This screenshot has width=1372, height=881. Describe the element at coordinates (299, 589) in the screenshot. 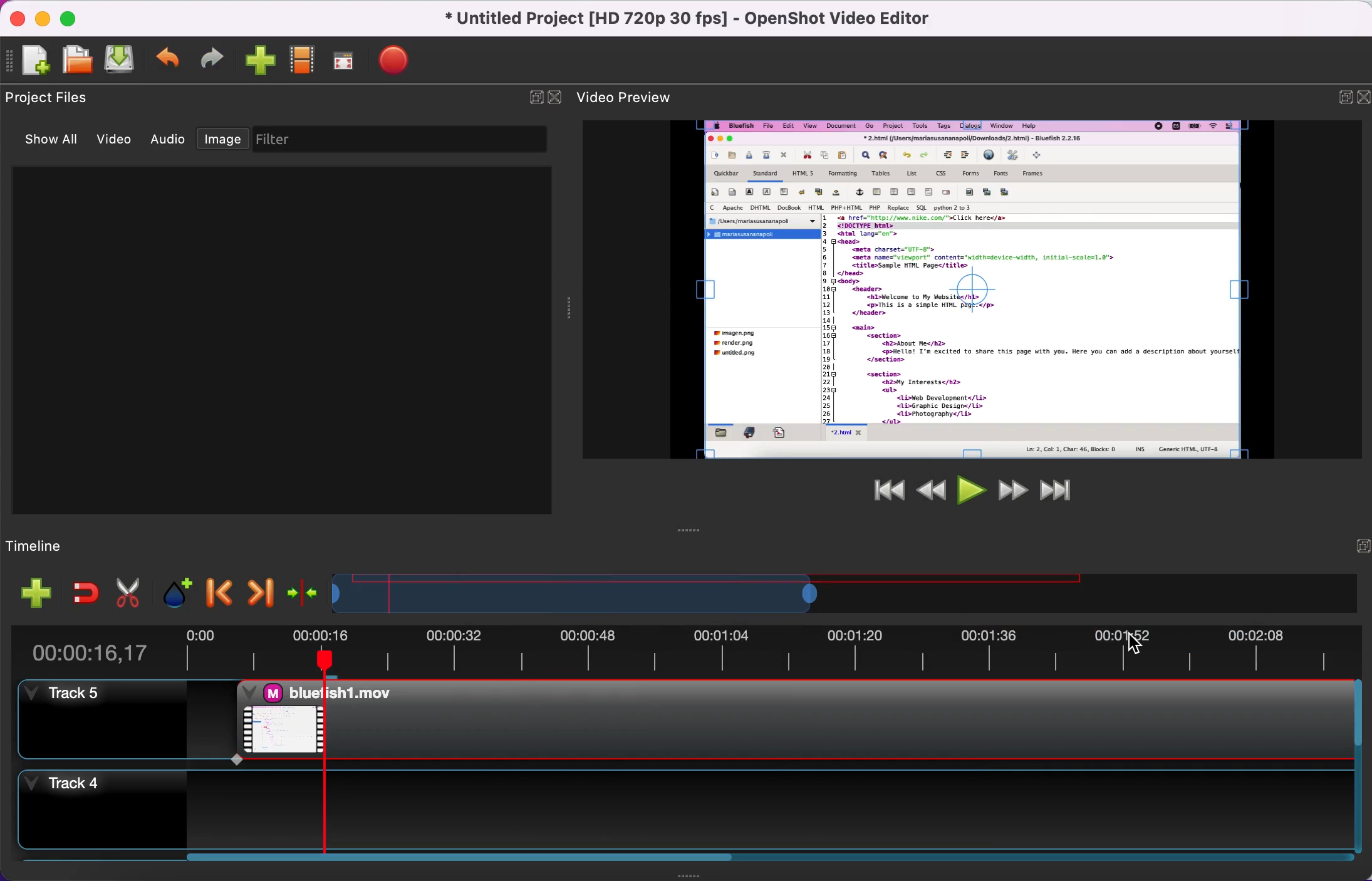

I see `center the timeline` at that location.